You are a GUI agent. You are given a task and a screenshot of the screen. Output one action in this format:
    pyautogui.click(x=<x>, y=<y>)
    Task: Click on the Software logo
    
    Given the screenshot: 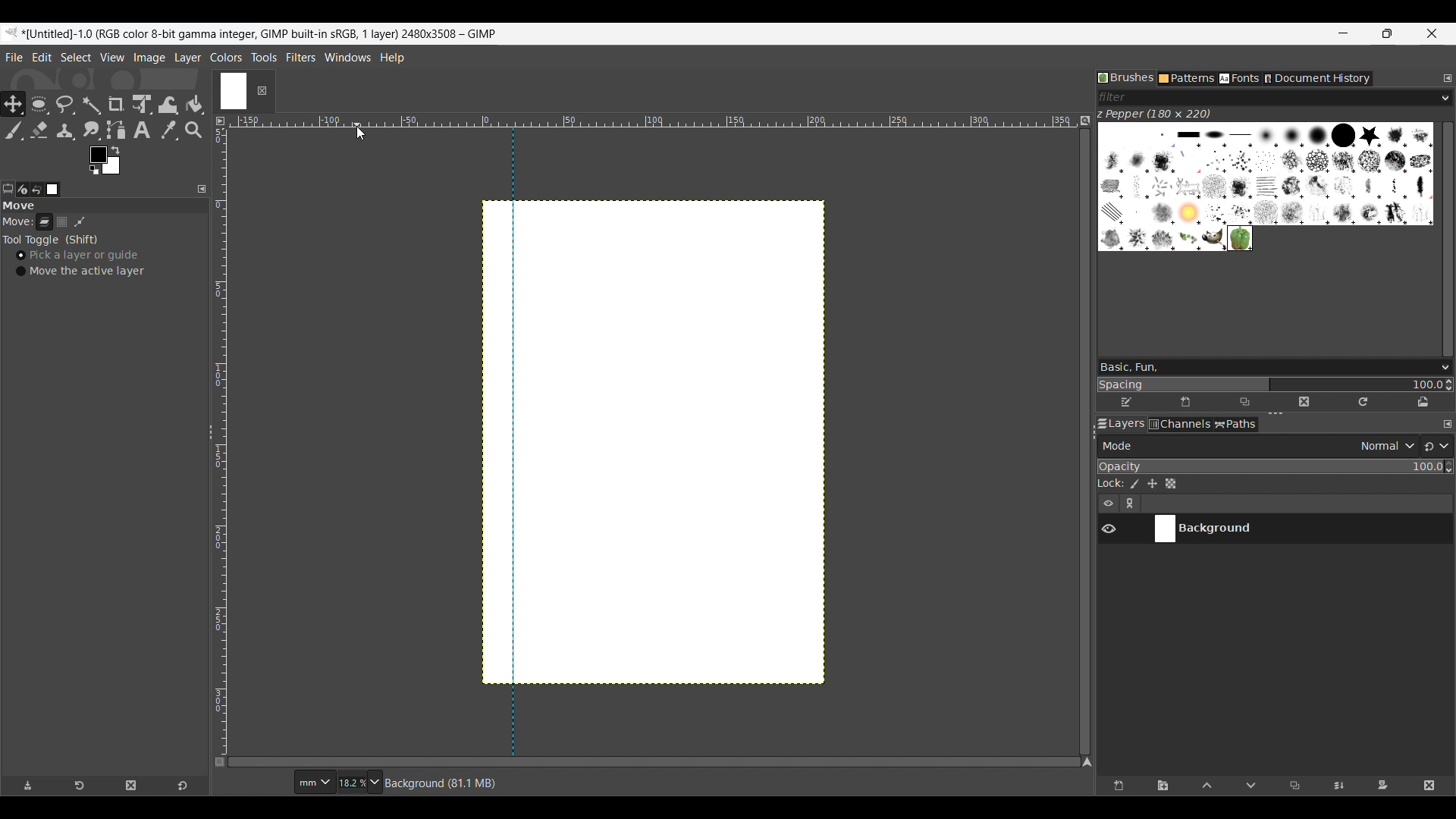 What is the action you would take?
    pyautogui.click(x=11, y=33)
    